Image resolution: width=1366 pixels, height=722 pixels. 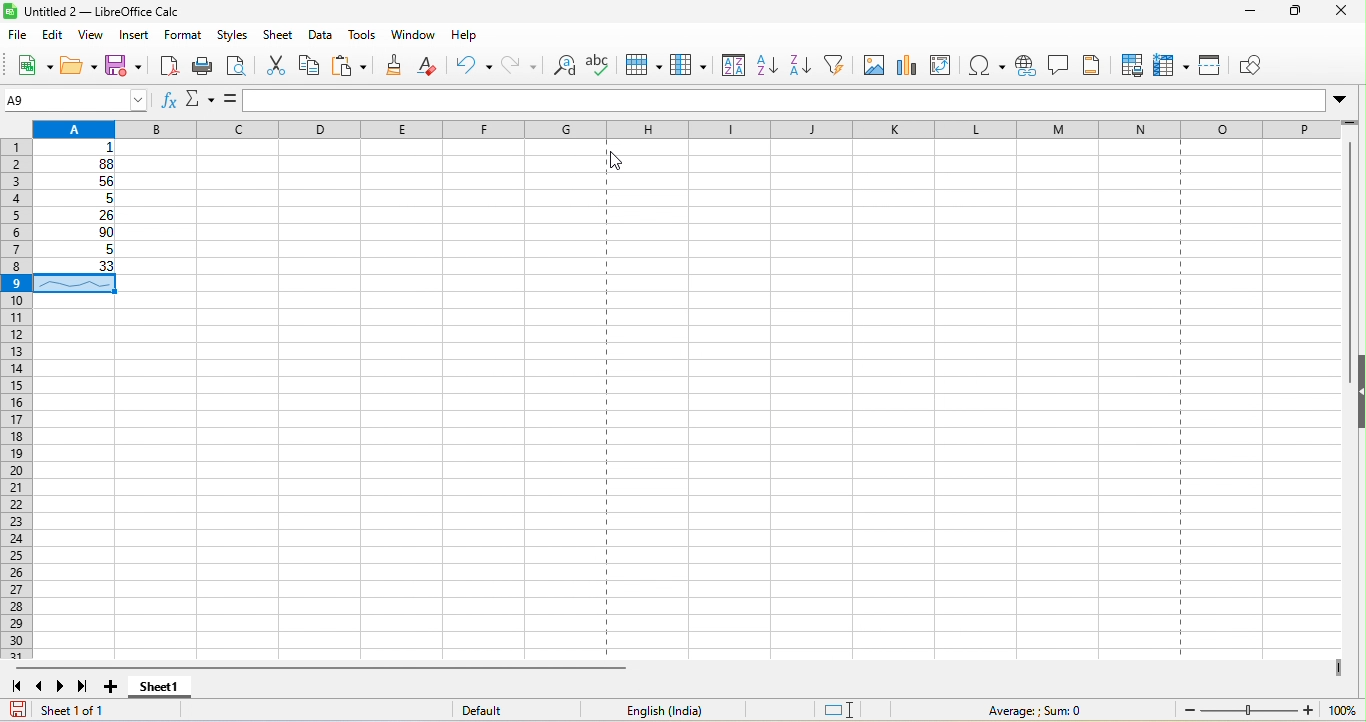 What do you see at coordinates (689, 67) in the screenshot?
I see `column` at bounding box center [689, 67].